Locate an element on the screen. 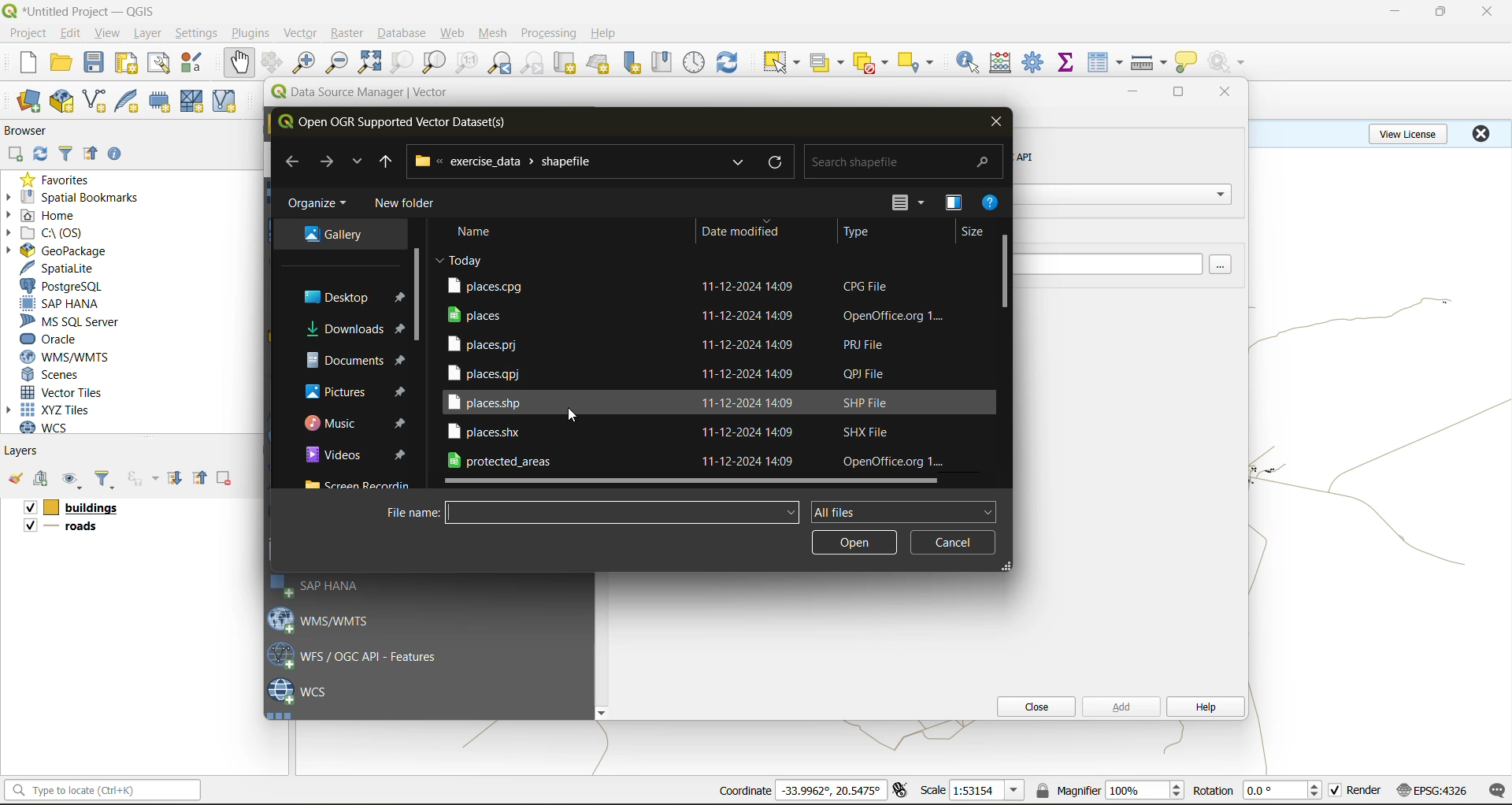 The width and height of the screenshot is (1512, 805). identify features is located at coordinates (973, 62).